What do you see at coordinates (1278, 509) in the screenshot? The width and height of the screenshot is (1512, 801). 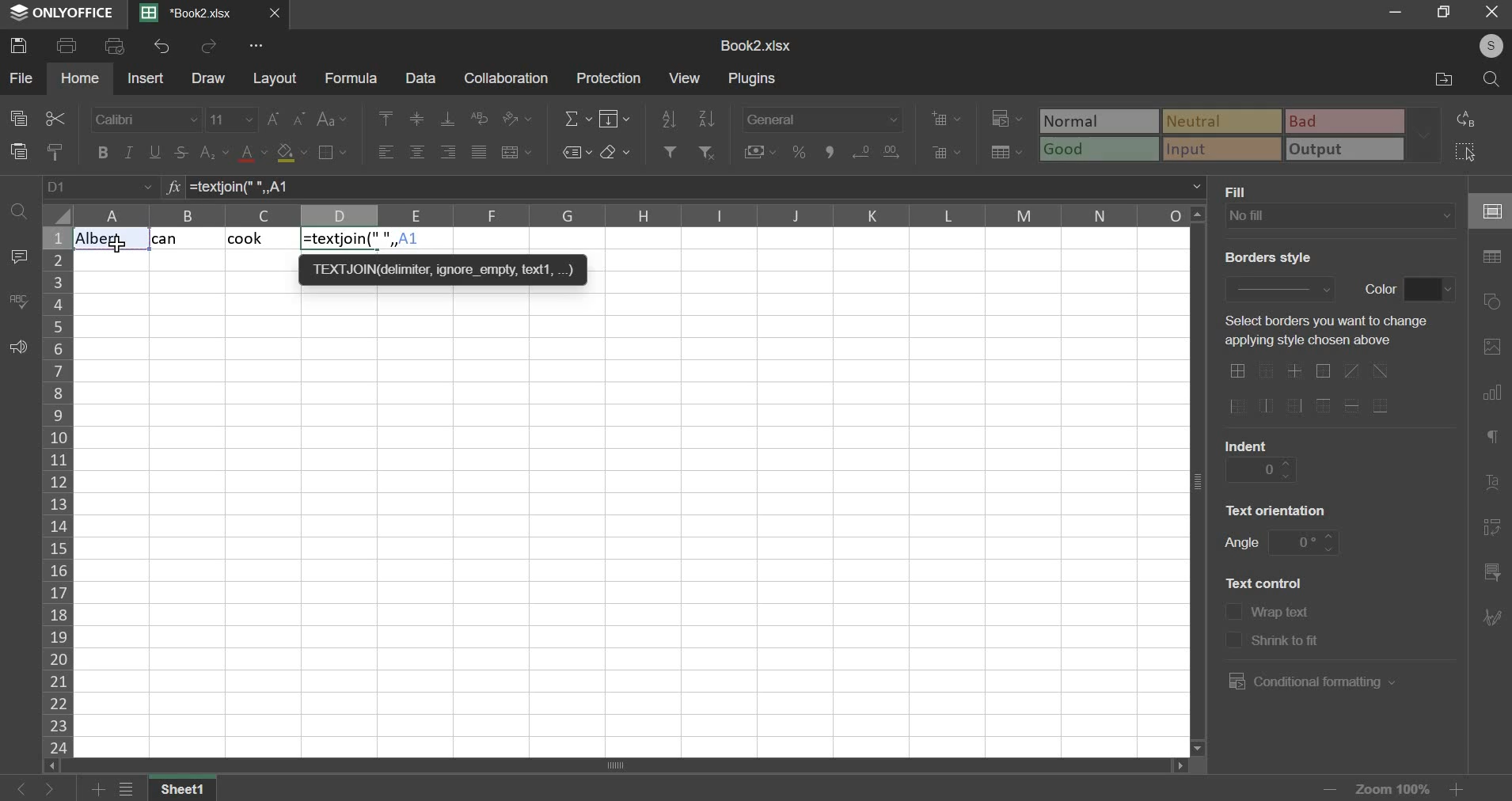 I see `text` at bounding box center [1278, 509].